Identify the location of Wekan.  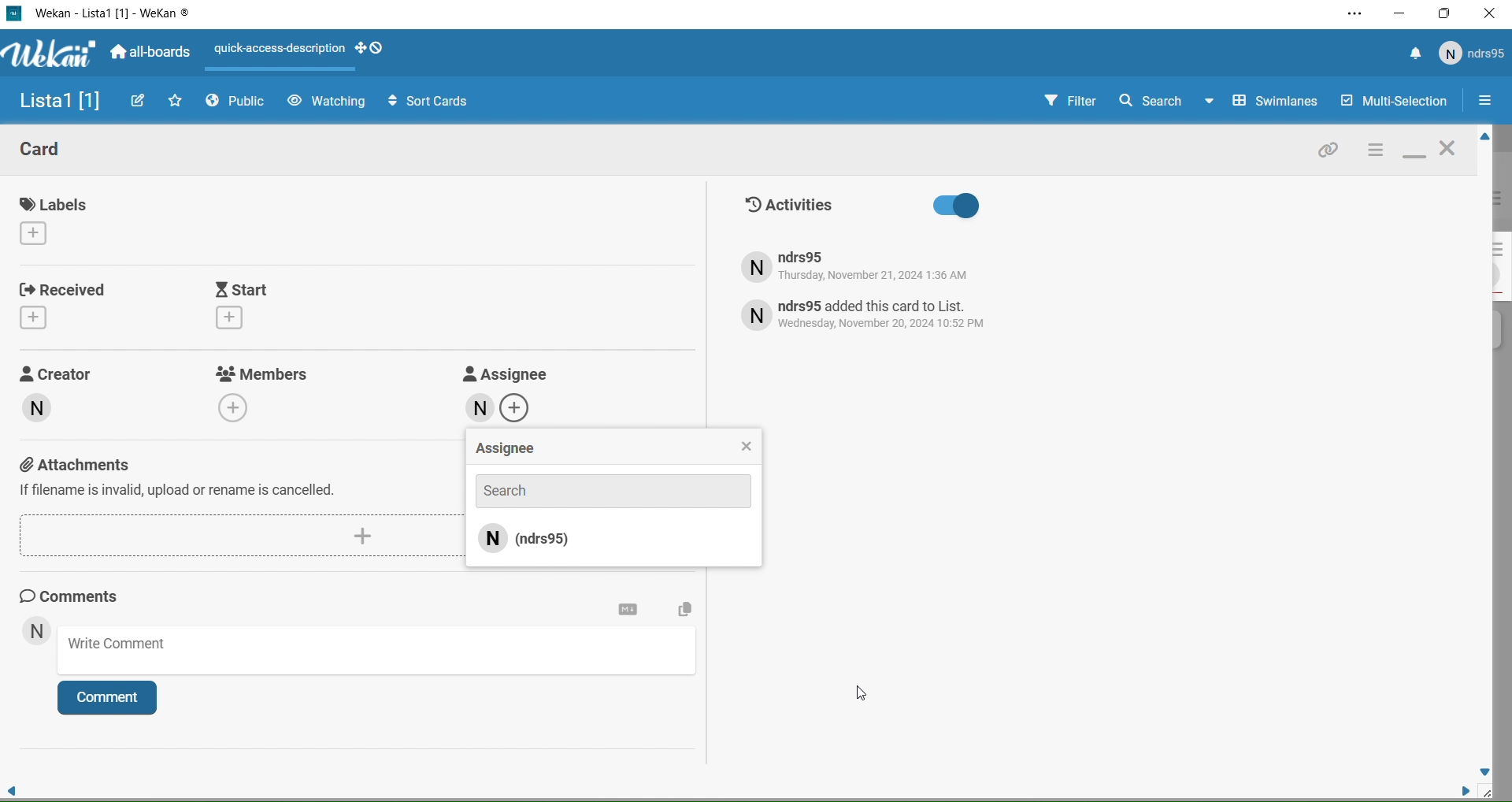
(113, 14).